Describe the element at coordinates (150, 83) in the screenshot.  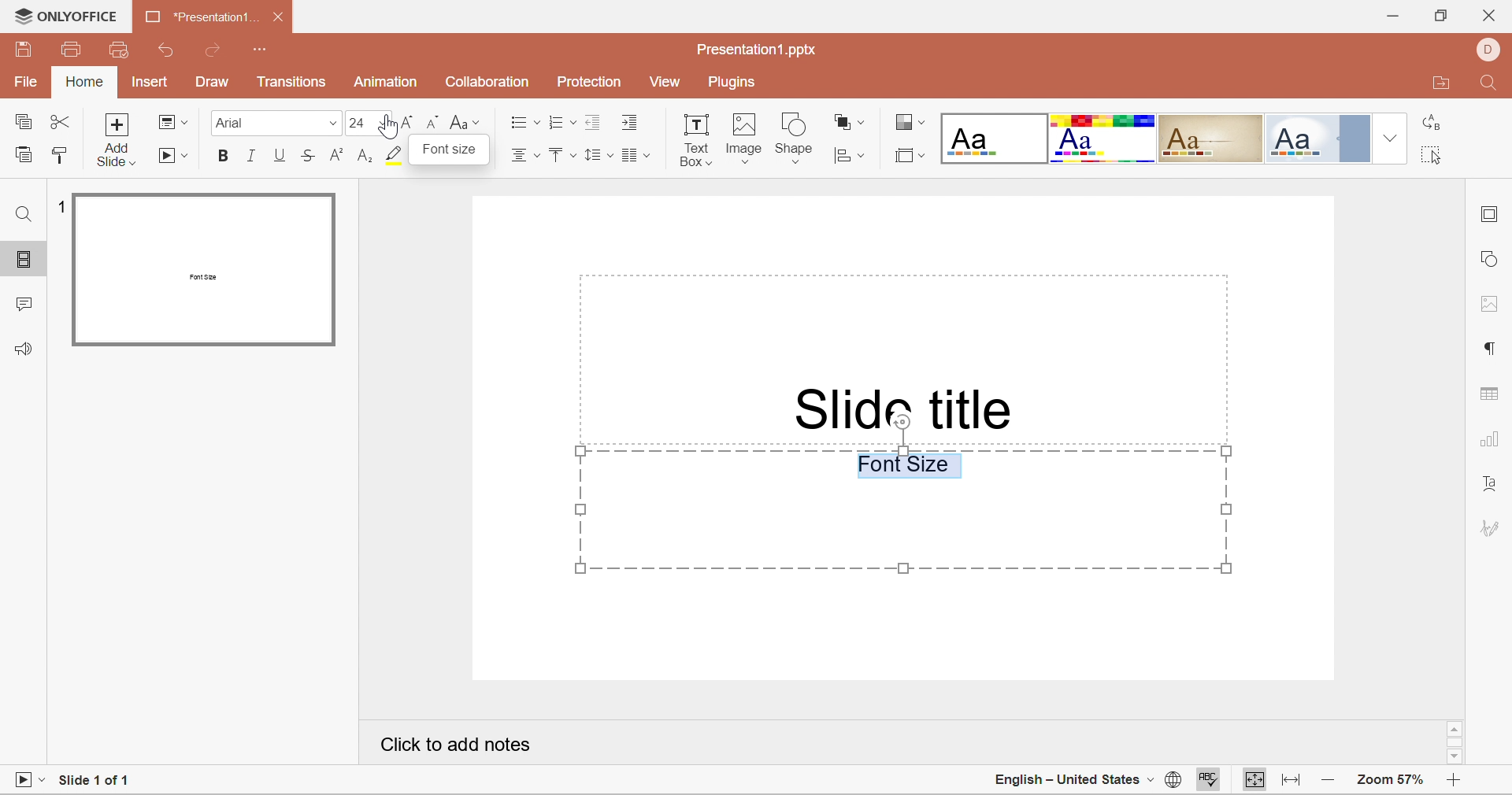
I see `Insert` at that location.